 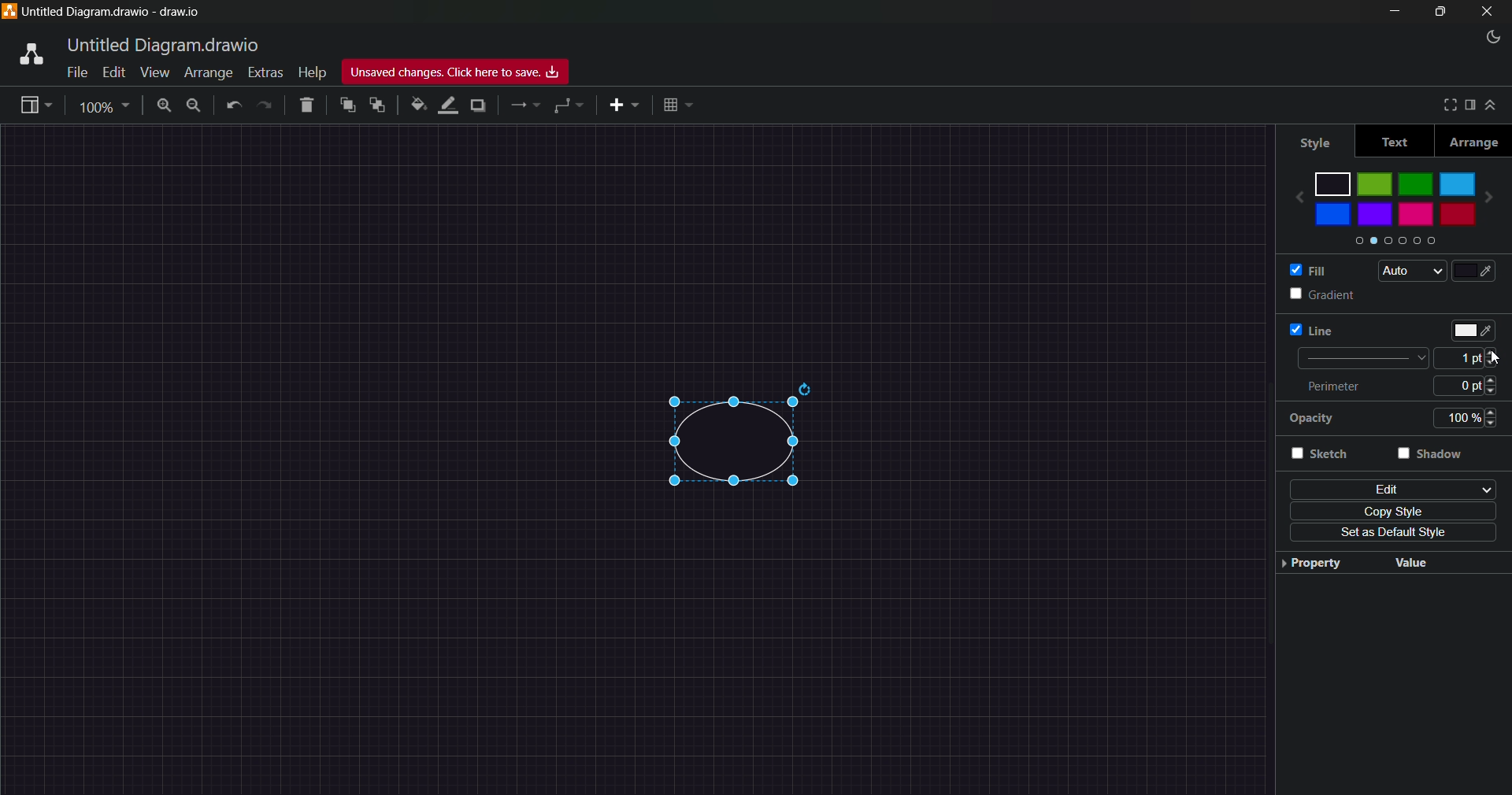 What do you see at coordinates (1458, 184) in the screenshot?
I see `sky blue` at bounding box center [1458, 184].